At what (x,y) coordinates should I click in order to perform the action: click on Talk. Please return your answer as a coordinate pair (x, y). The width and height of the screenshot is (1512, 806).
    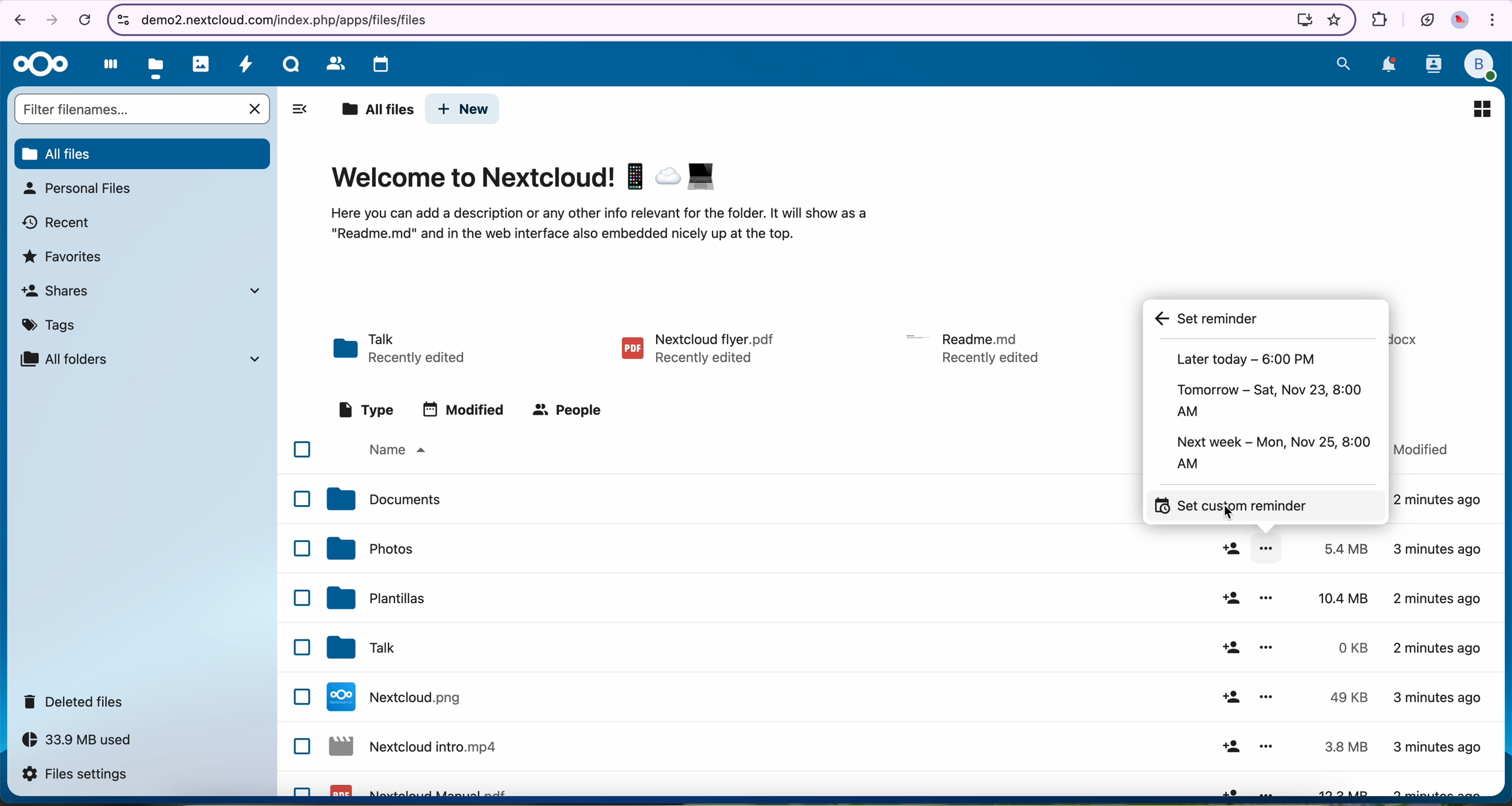
    Looking at the image, I should click on (292, 63).